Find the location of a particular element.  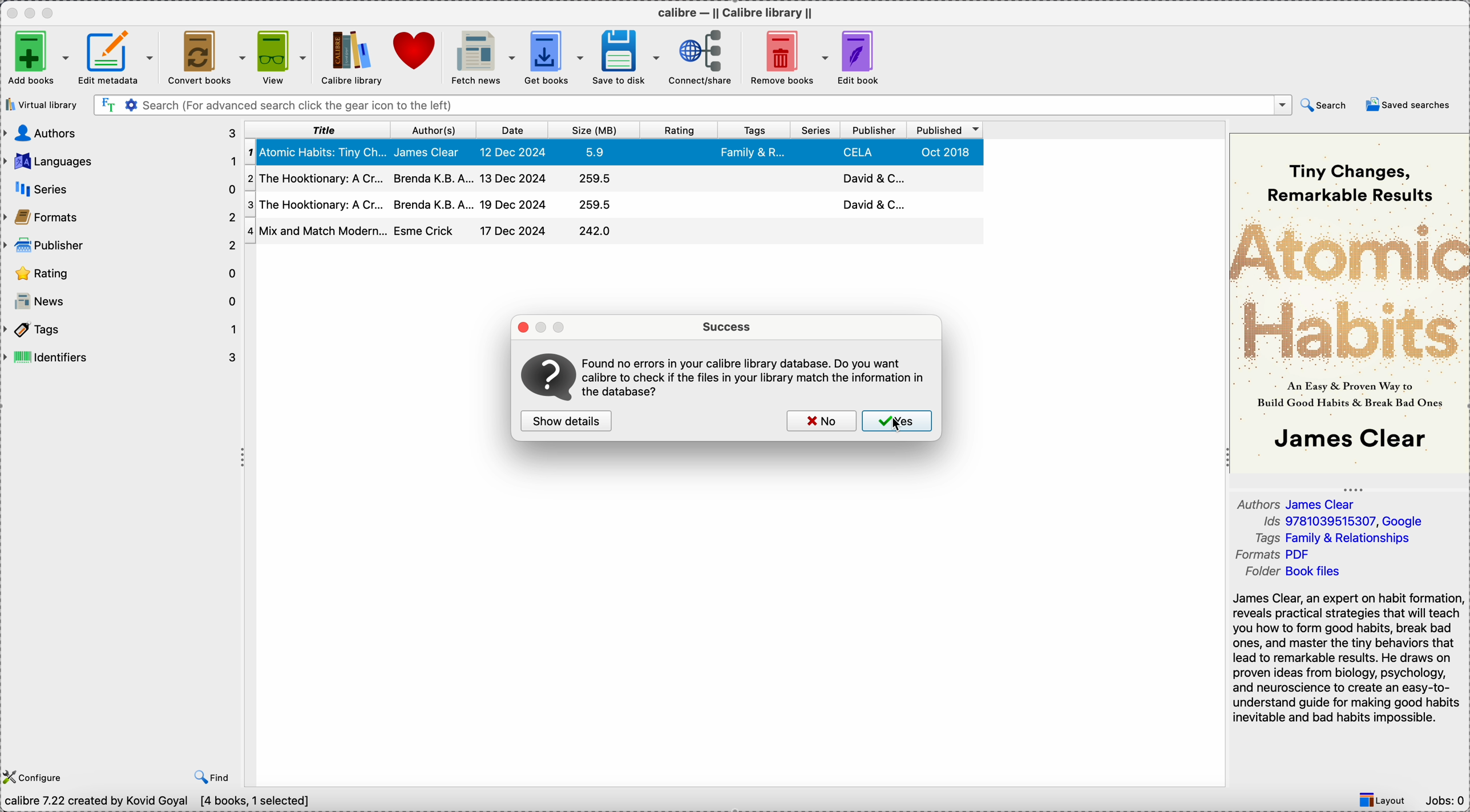

publisher is located at coordinates (120, 244).